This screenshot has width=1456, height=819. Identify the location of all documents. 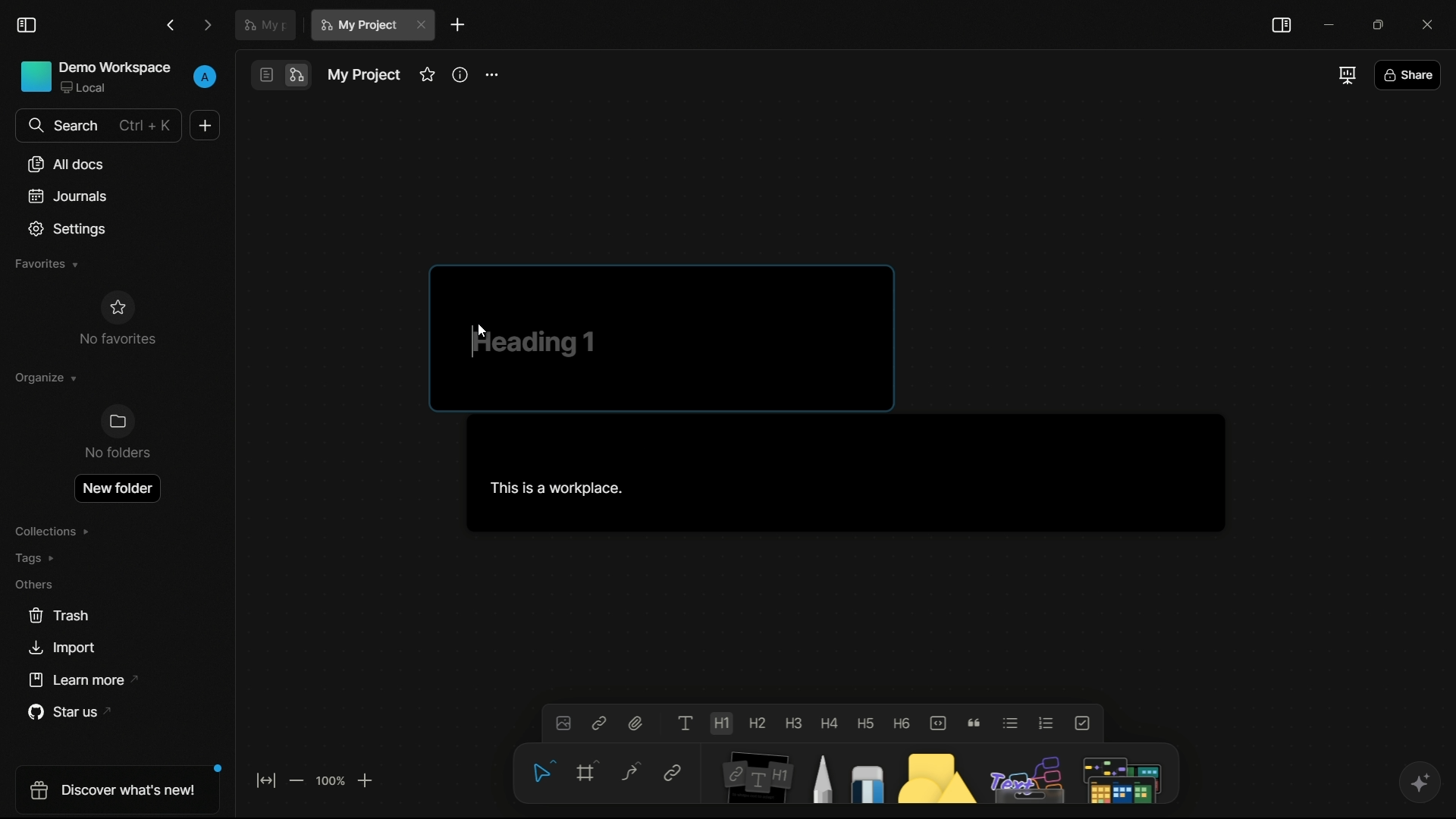
(66, 164).